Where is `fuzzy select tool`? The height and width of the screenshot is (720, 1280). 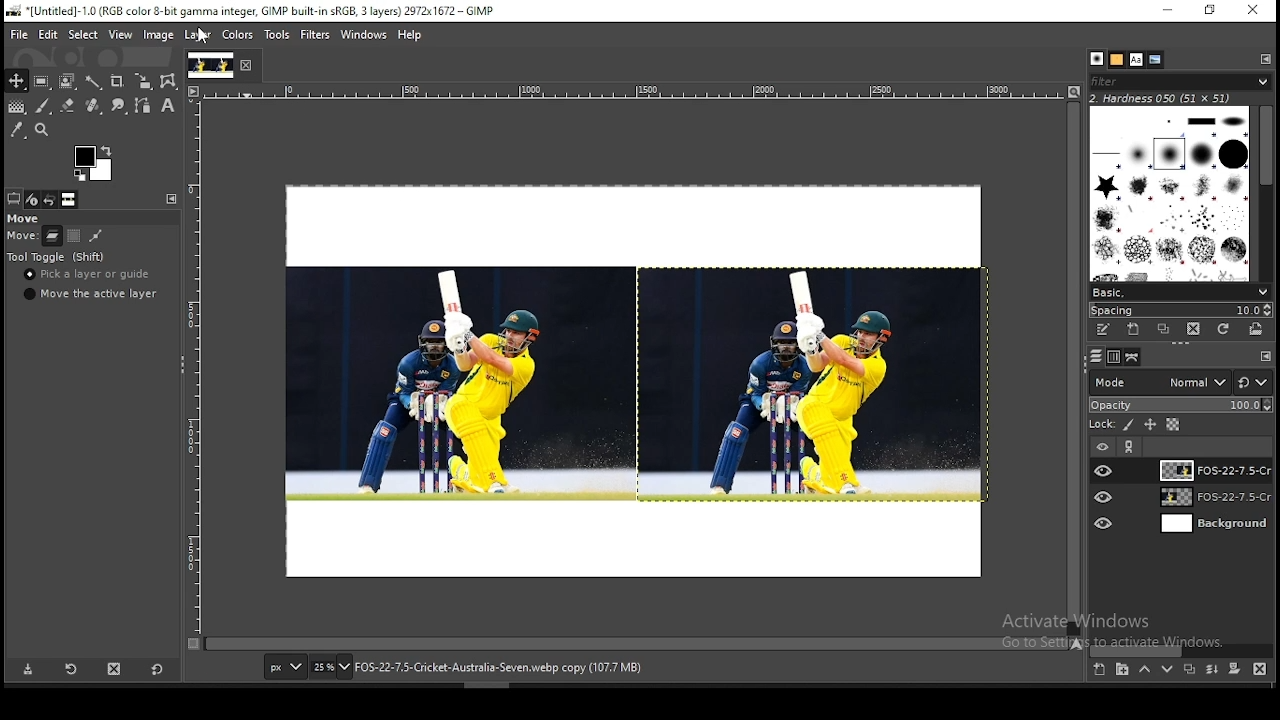 fuzzy select tool is located at coordinates (96, 80).